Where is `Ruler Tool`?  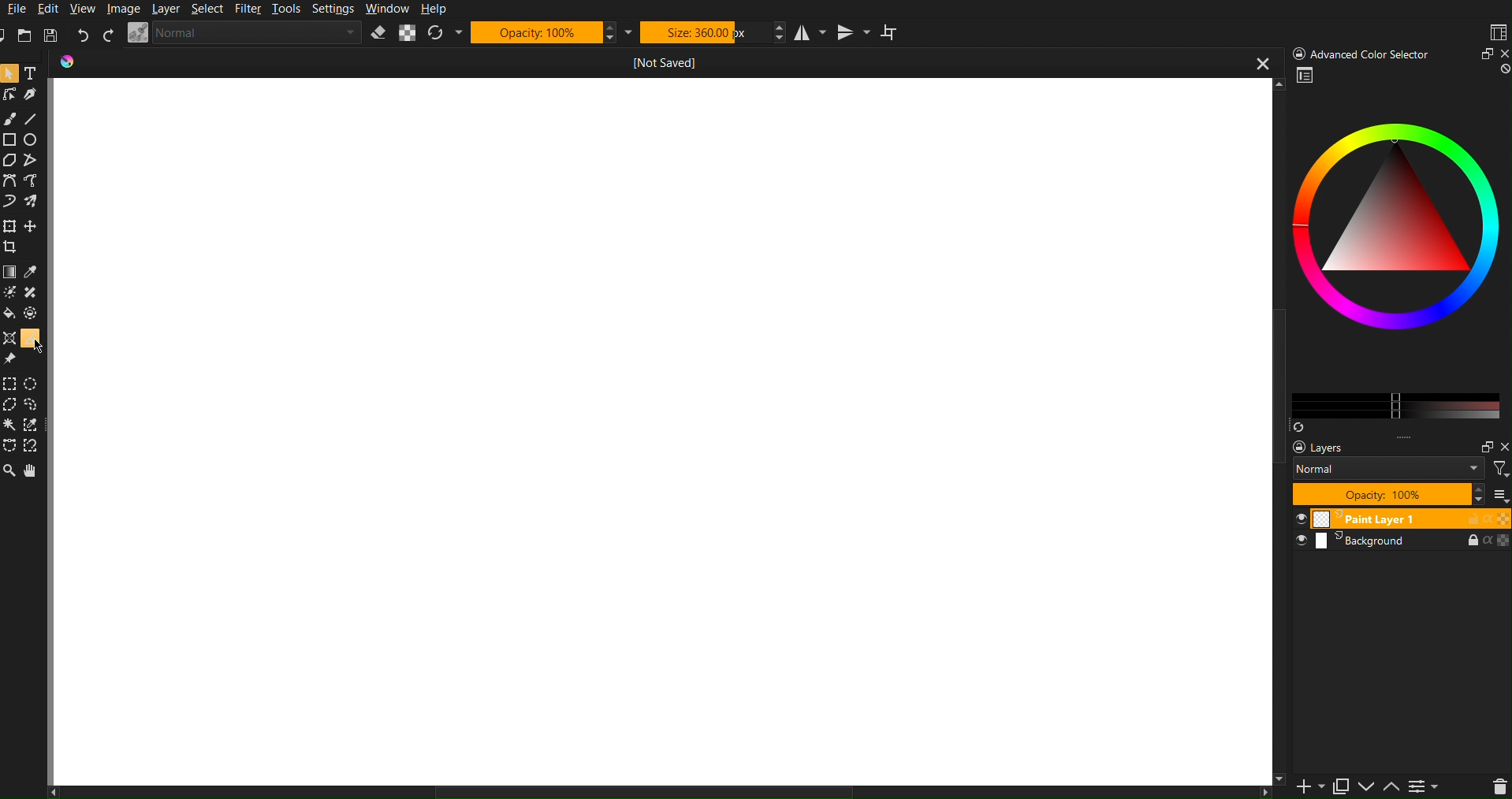 Ruler Tool is located at coordinates (29, 336).